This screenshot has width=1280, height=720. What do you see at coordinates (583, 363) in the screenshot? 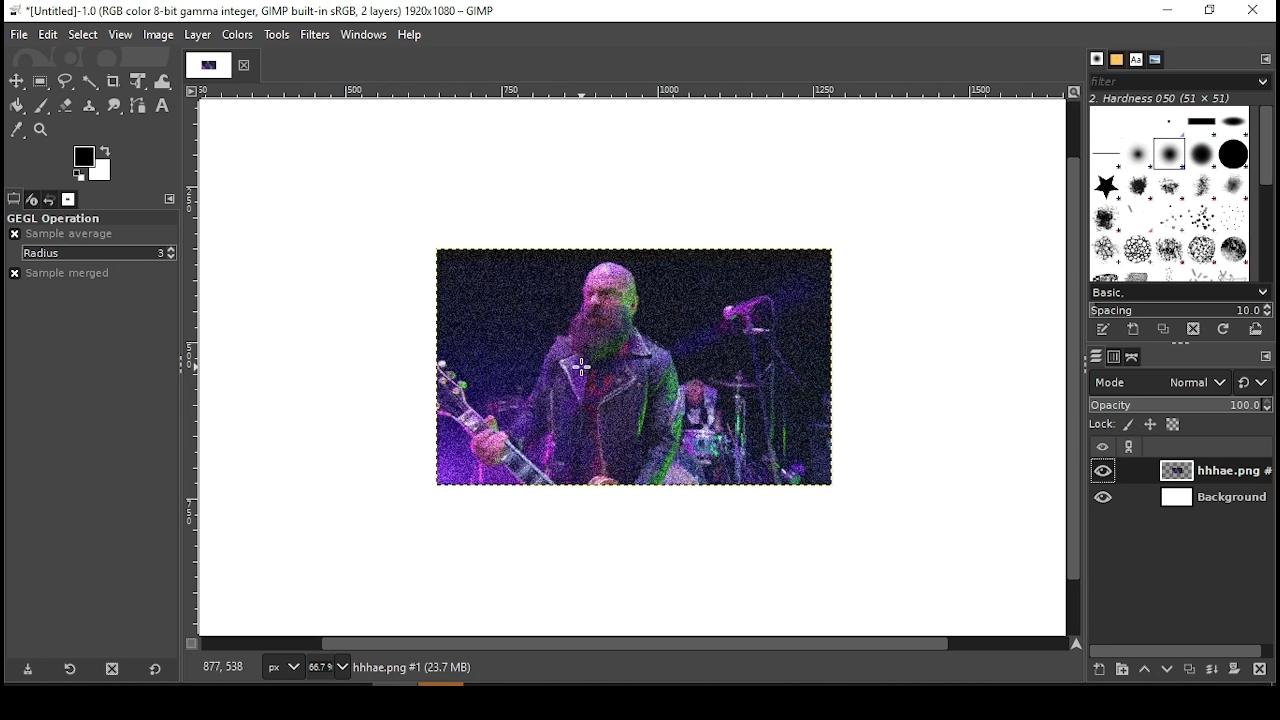
I see `mouse pointer` at bounding box center [583, 363].